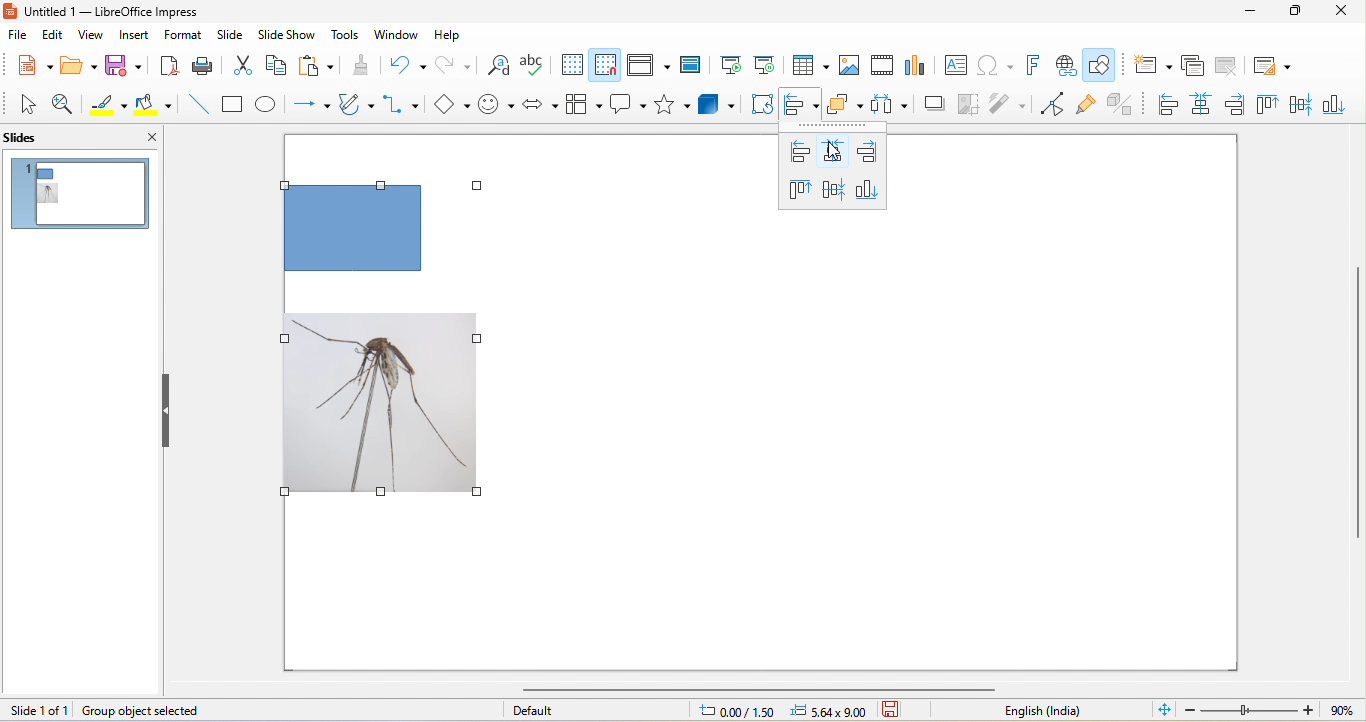  What do you see at coordinates (1302, 109) in the screenshot?
I see `center` at bounding box center [1302, 109].